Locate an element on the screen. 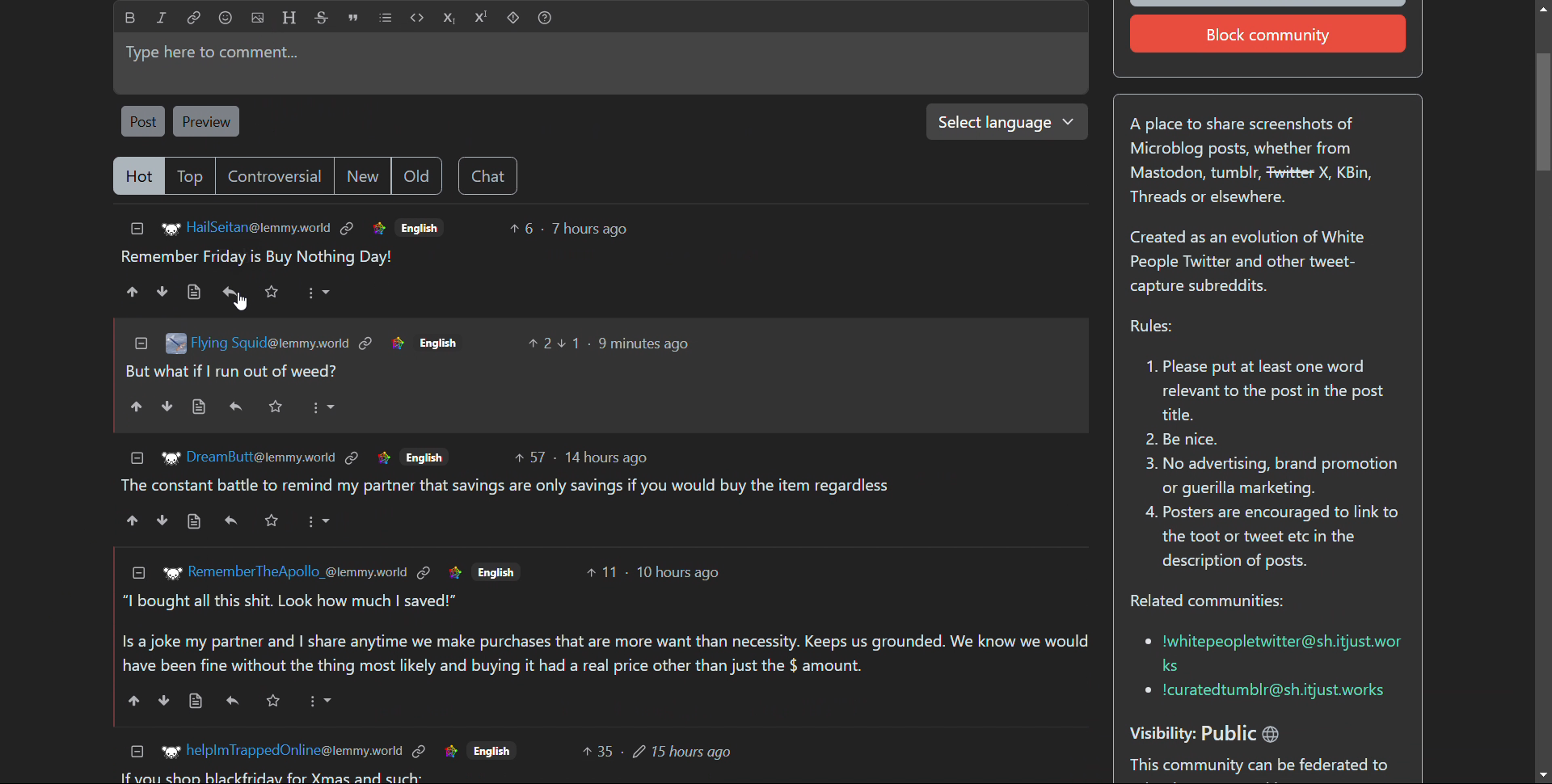  bold is located at coordinates (131, 18).